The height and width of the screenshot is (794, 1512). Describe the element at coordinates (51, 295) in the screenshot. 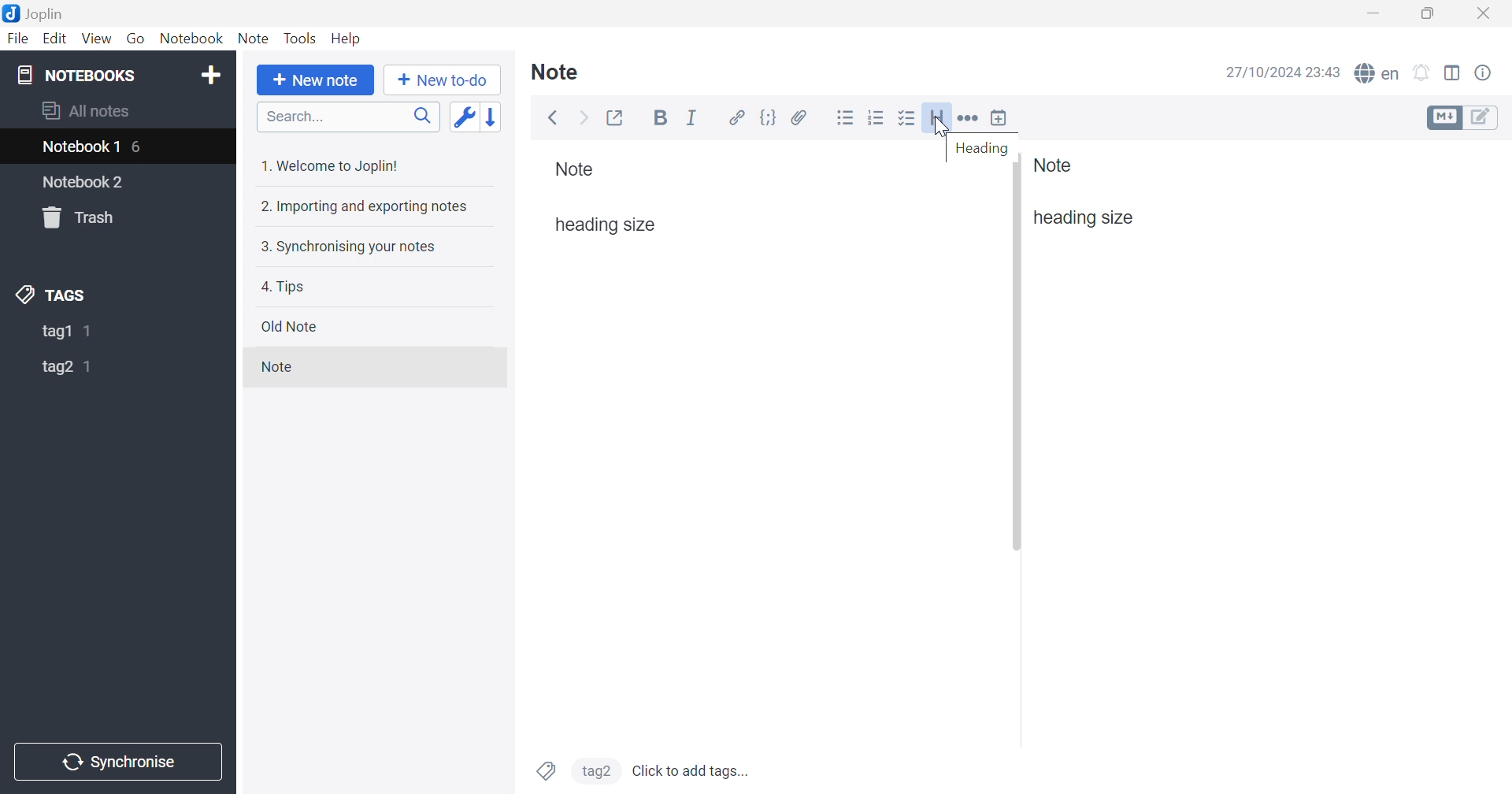

I see `TAGS` at that location.